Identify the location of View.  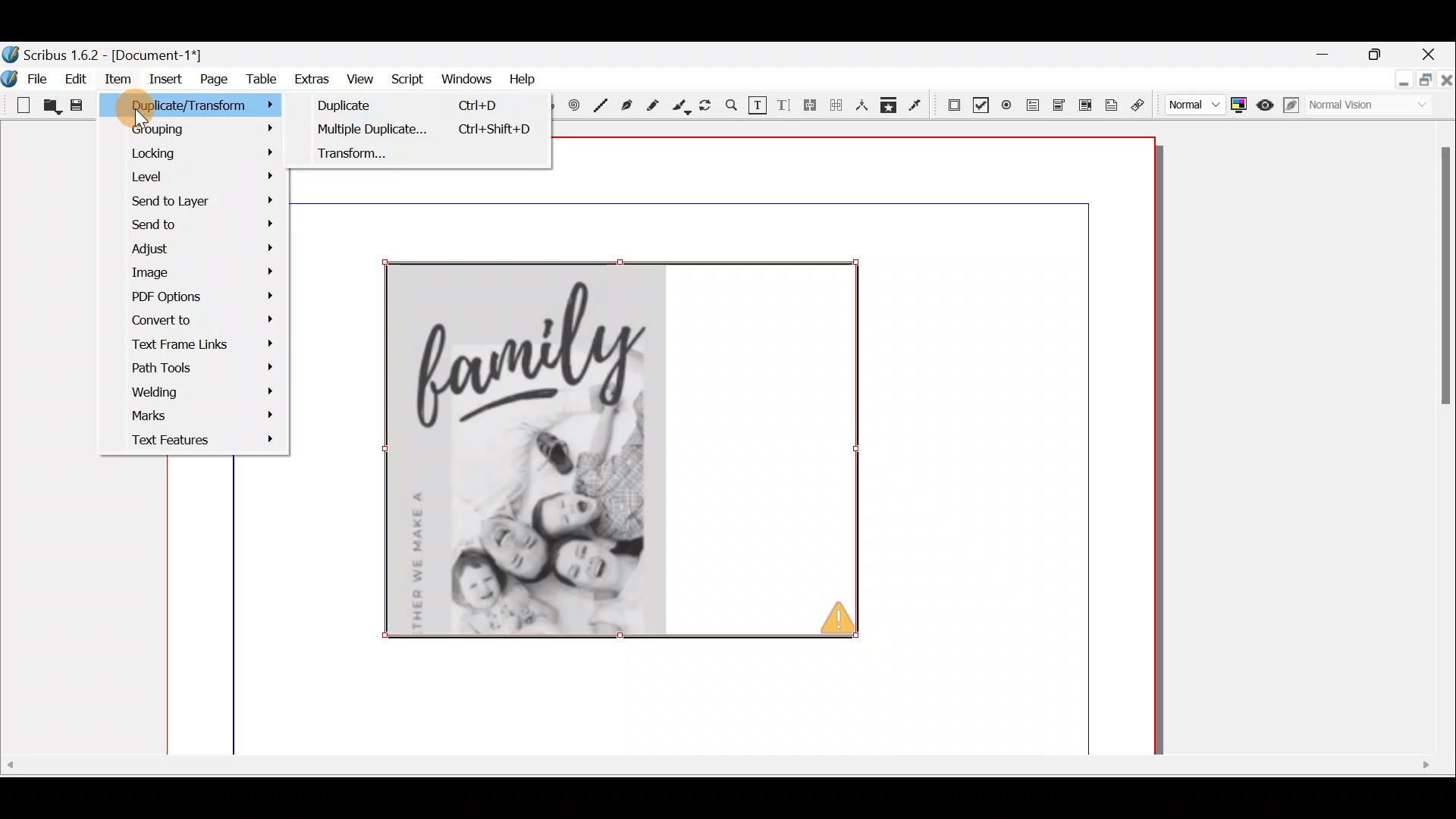
(362, 78).